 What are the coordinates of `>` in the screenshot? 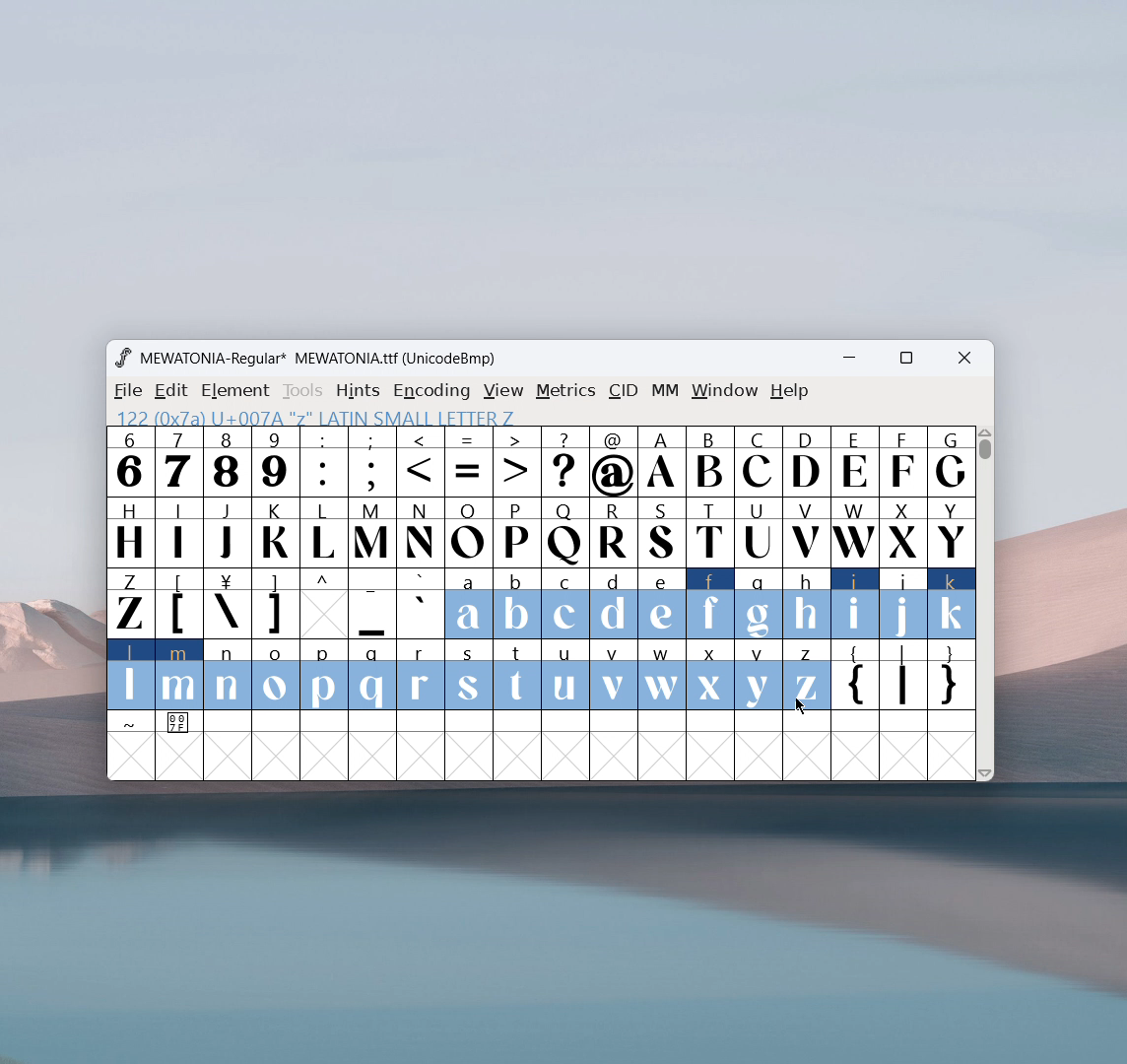 It's located at (518, 462).